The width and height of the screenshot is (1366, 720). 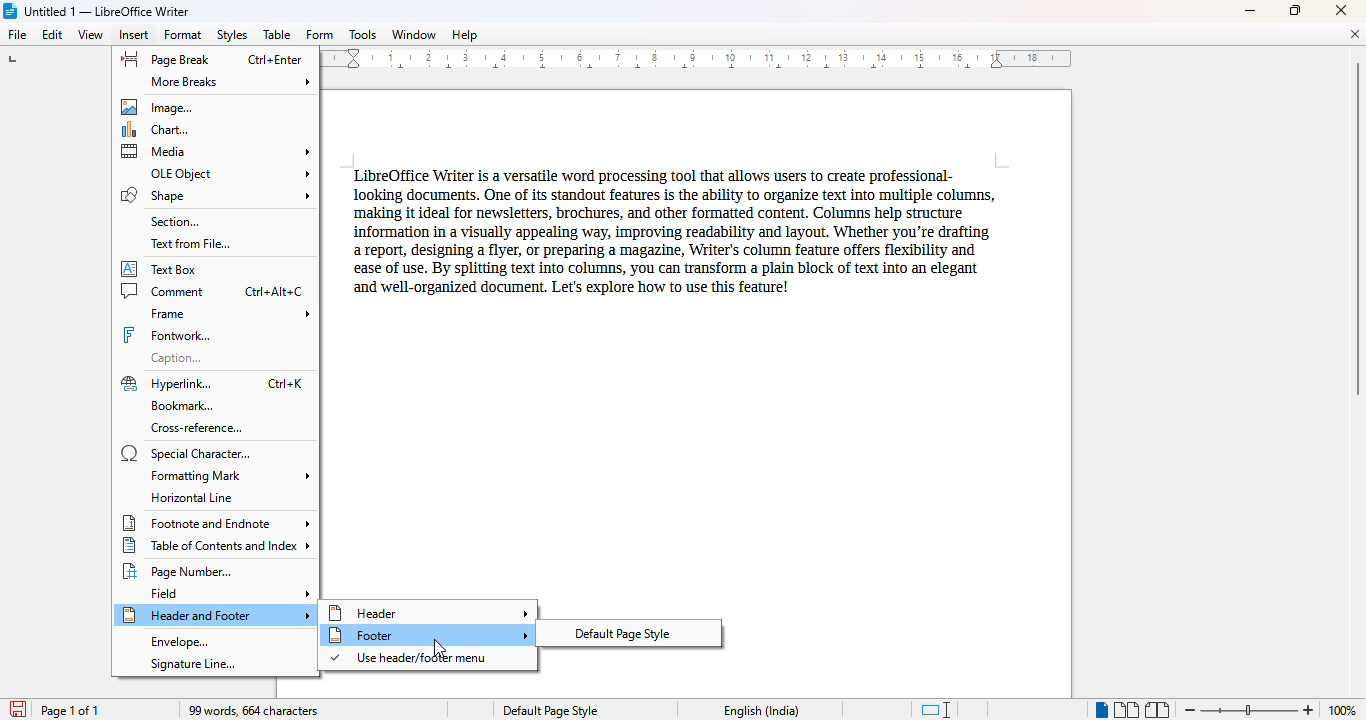 What do you see at coordinates (215, 195) in the screenshot?
I see `shape` at bounding box center [215, 195].